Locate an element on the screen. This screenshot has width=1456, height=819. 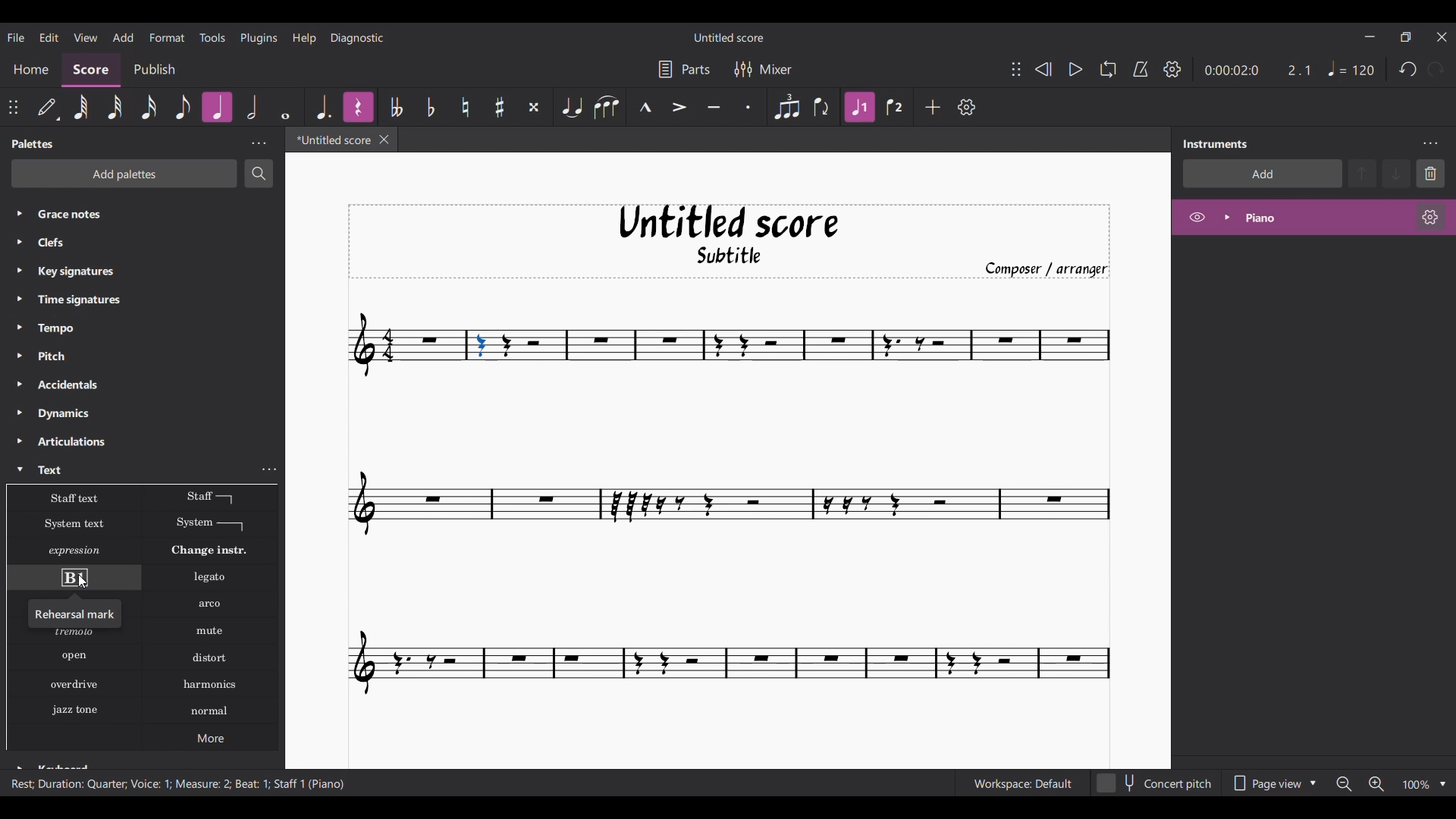
Edit menu is located at coordinates (49, 37).